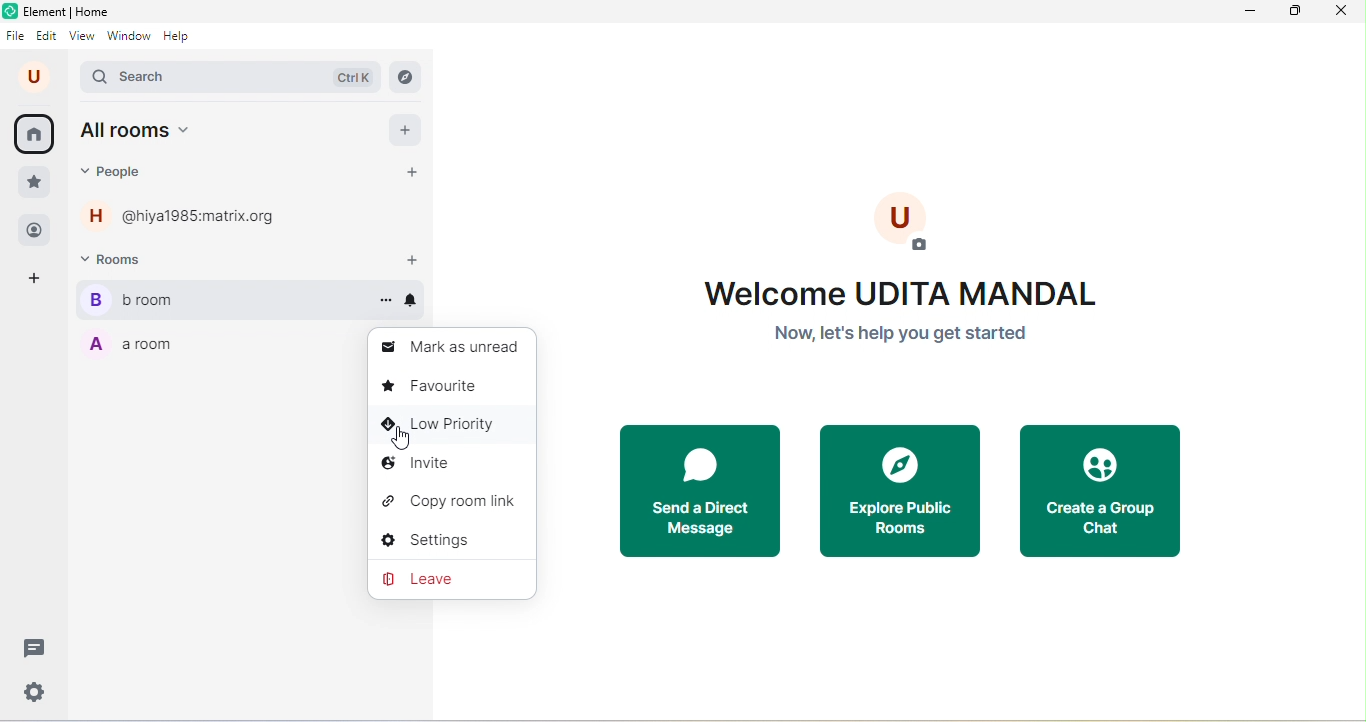 The width and height of the screenshot is (1366, 722). I want to click on leave, so click(453, 579).